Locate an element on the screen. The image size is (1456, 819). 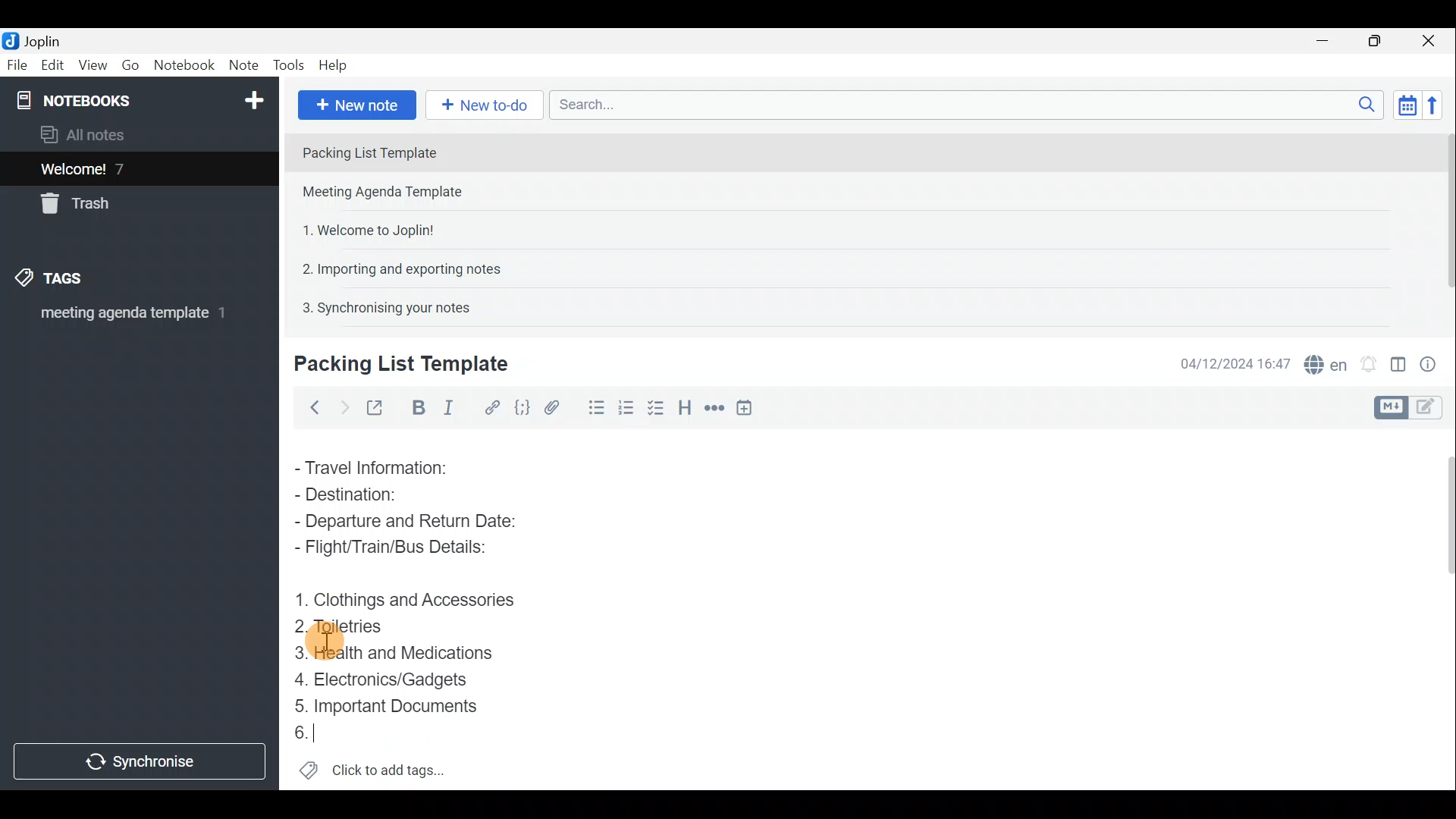
Joplin is located at coordinates (36, 40).